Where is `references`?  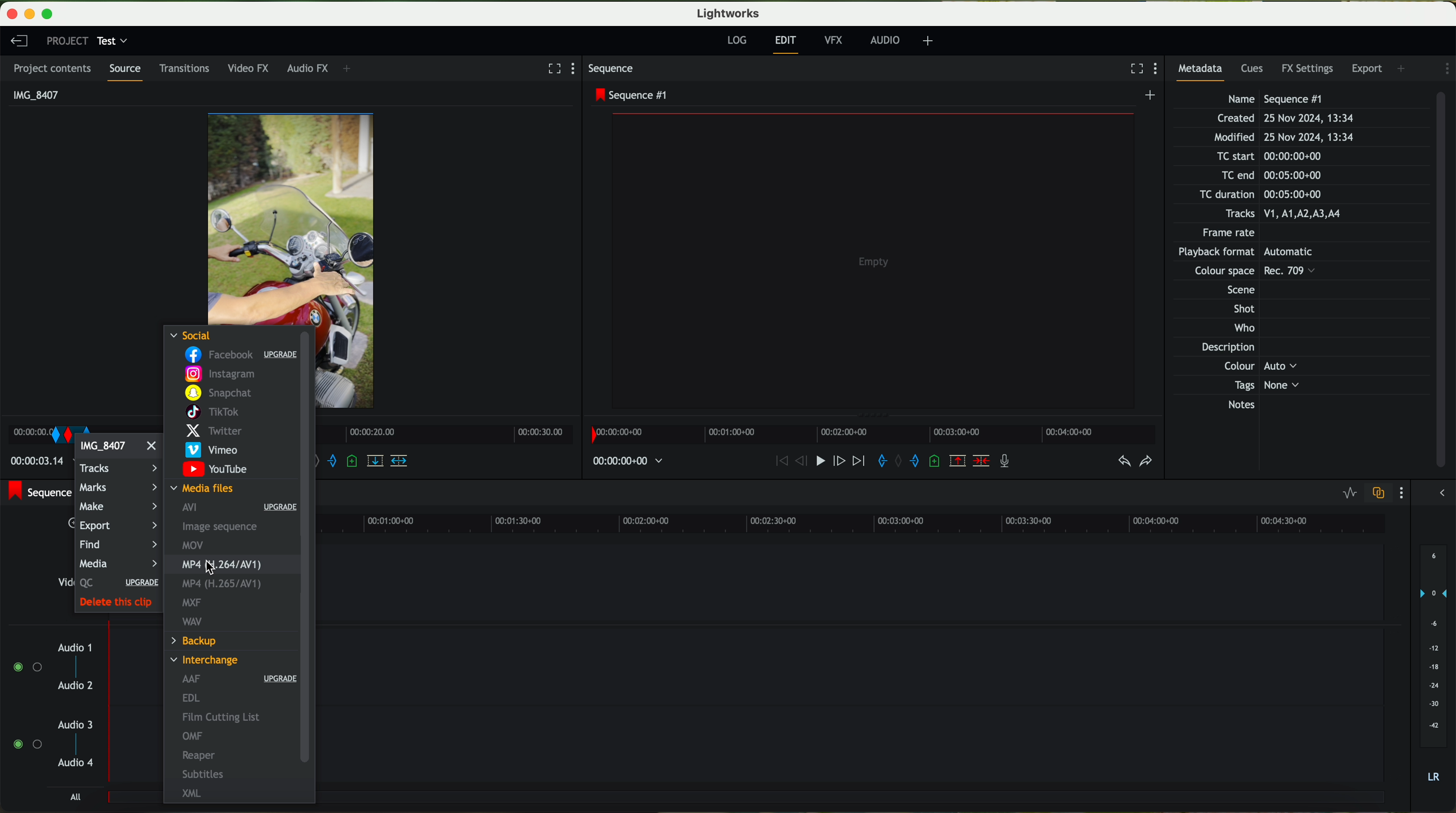
references is located at coordinates (202, 569).